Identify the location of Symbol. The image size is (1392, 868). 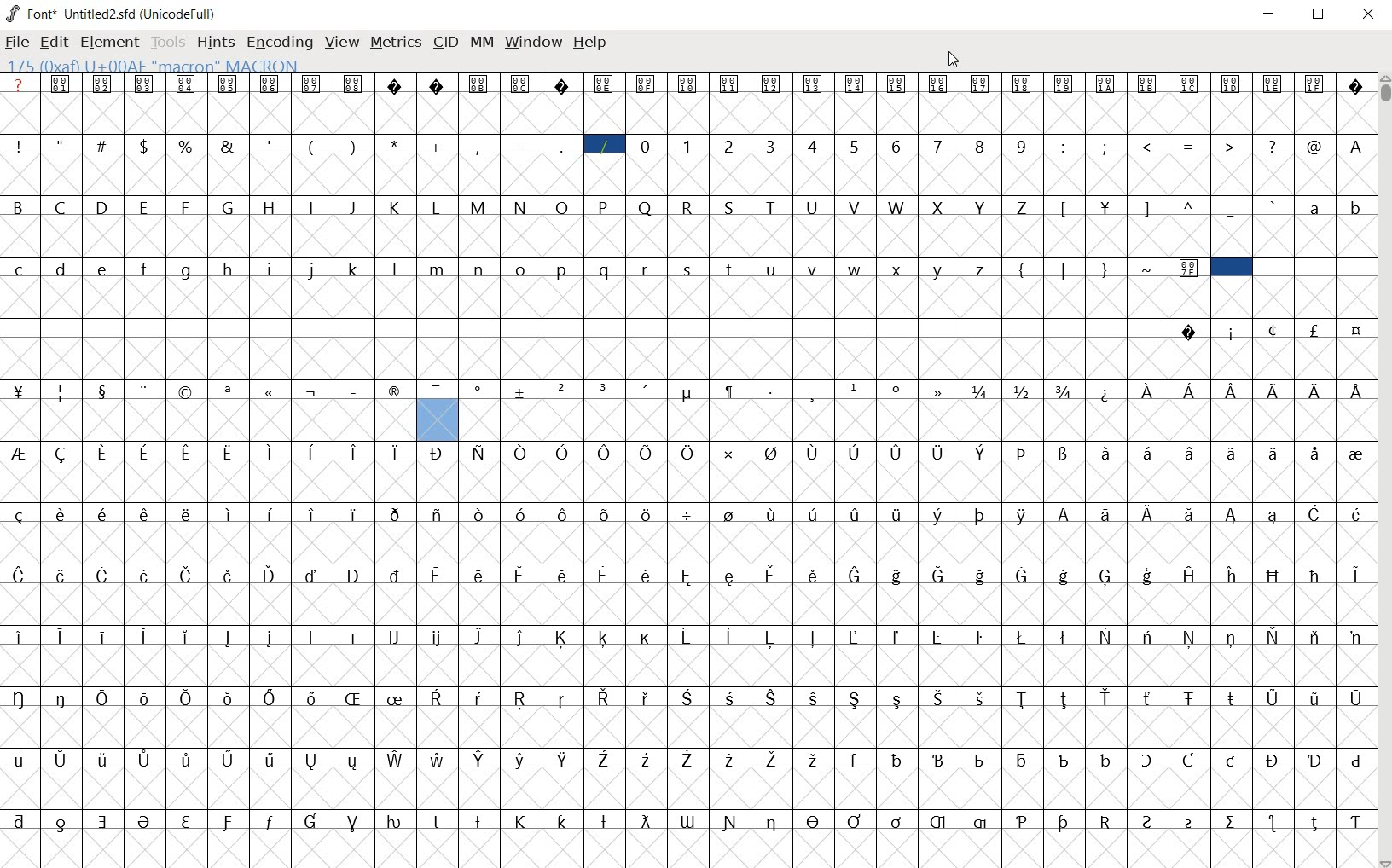
(523, 760).